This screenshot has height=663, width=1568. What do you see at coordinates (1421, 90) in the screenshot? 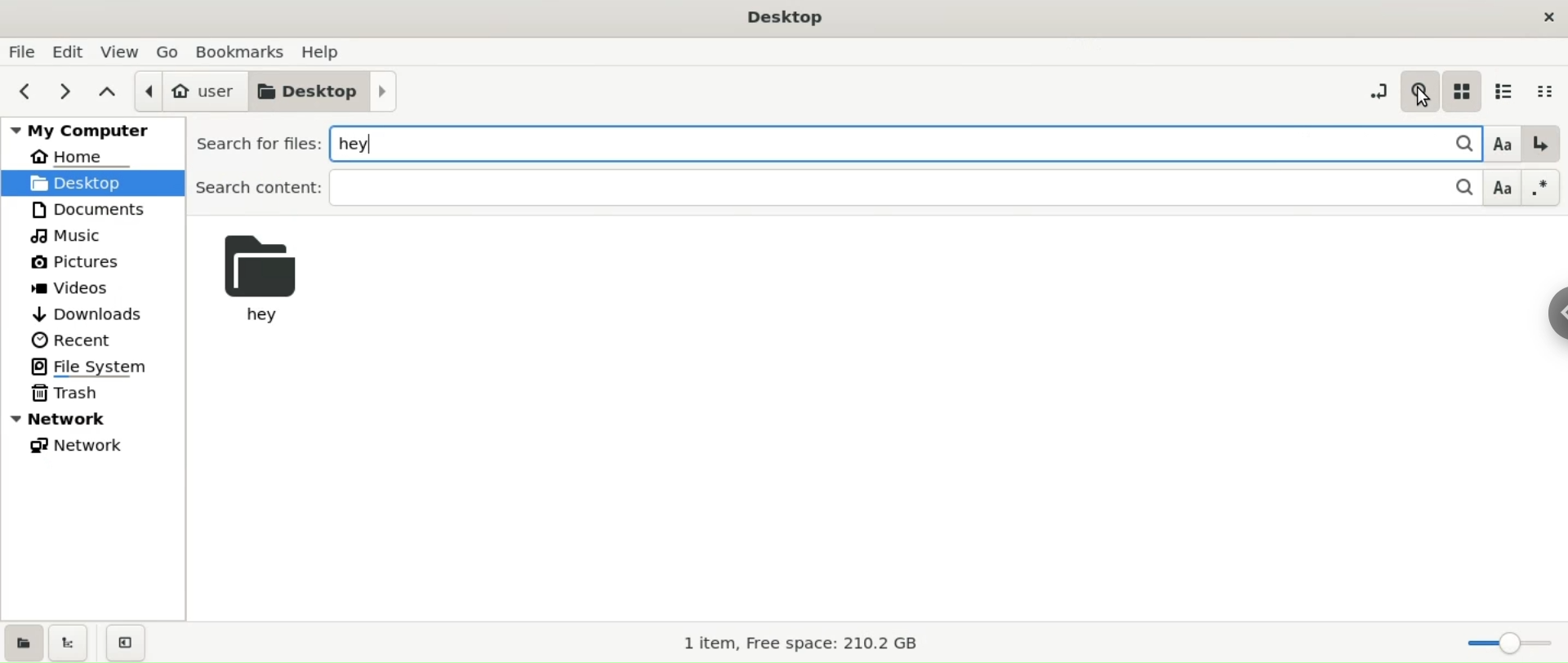
I see `search ` at bounding box center [1421, 90].